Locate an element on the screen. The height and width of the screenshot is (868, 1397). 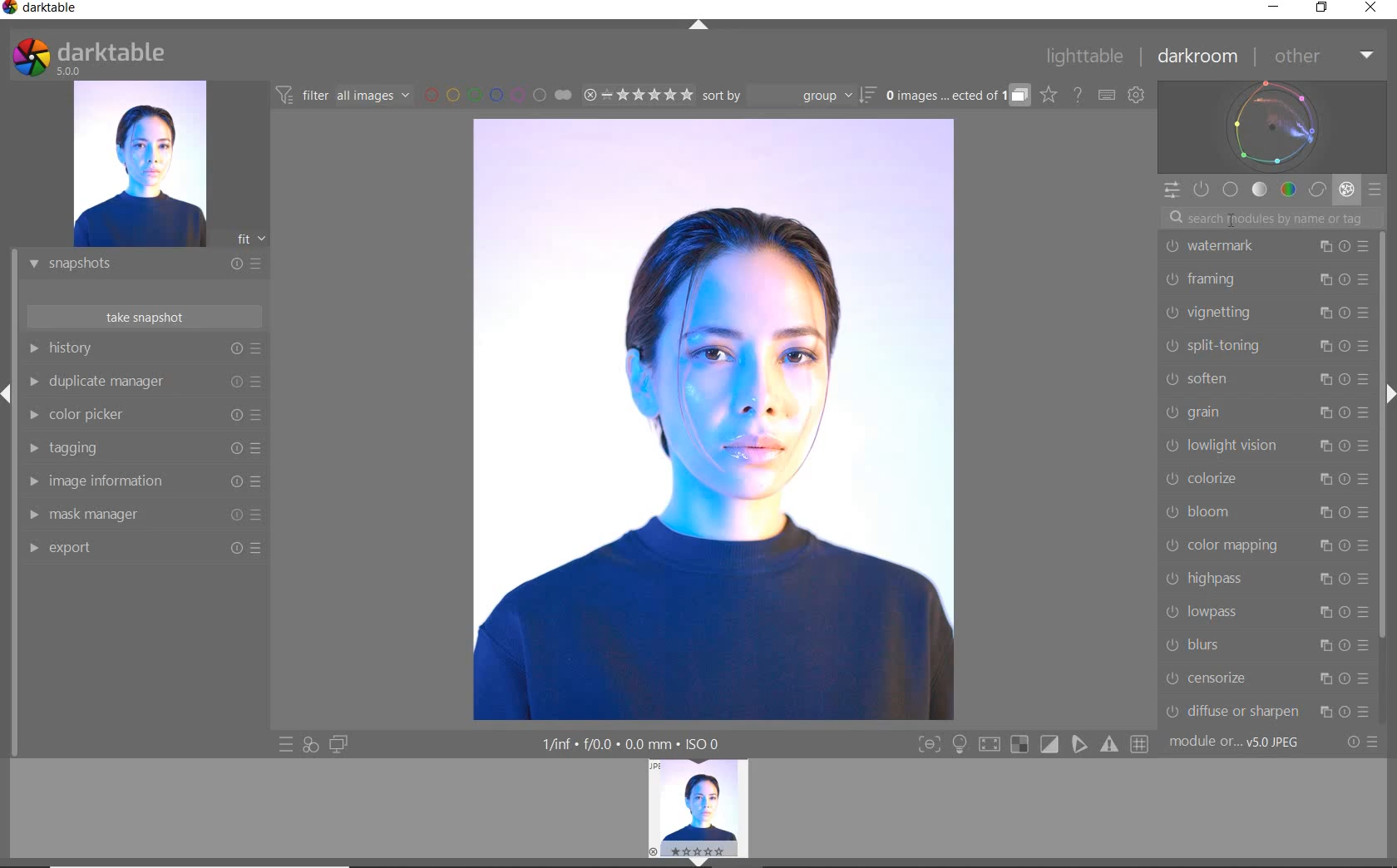
RESTORE is located at coordinates (1325, 8).